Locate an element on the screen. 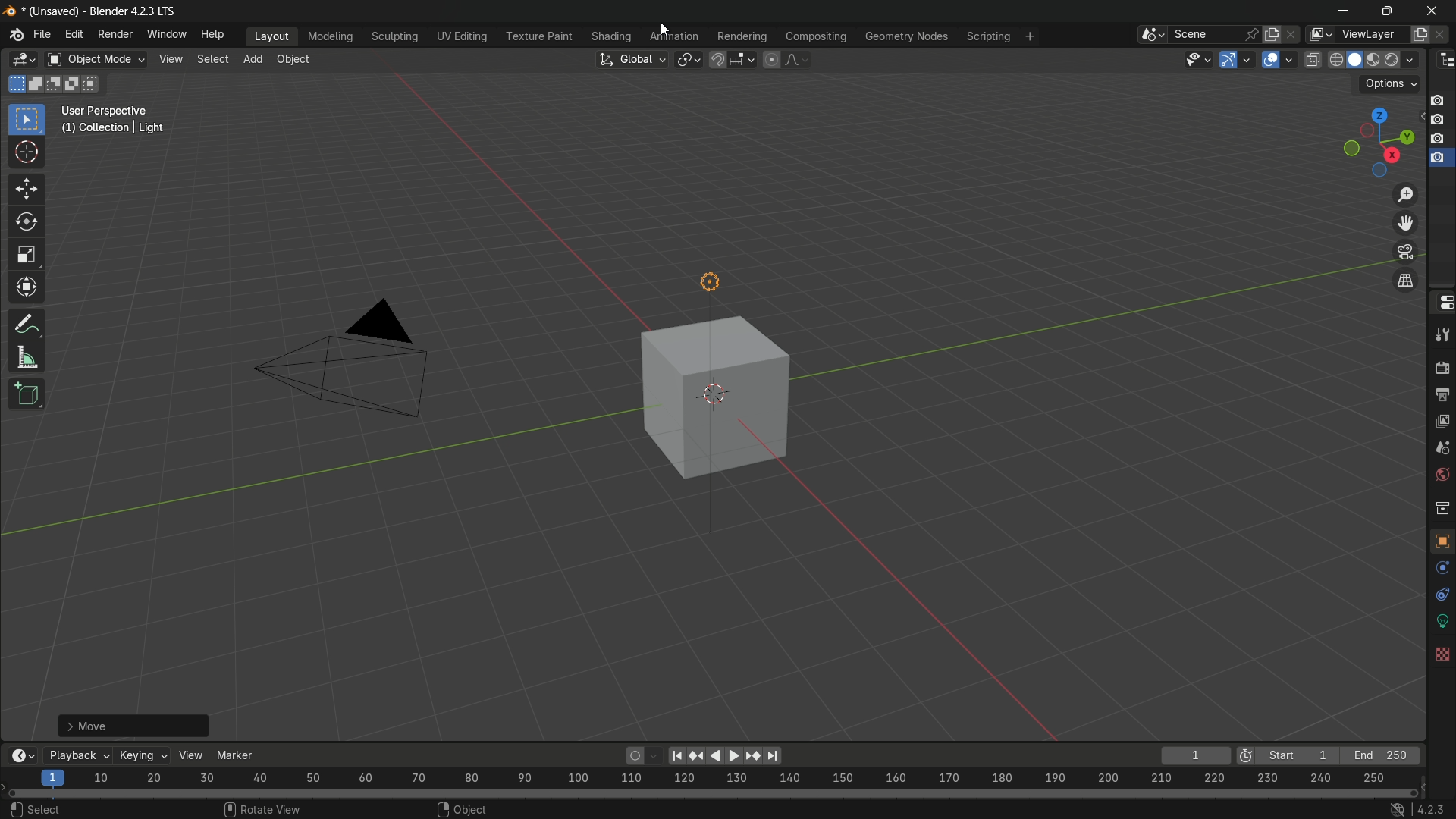  (unsaved) - blender 4.2.3 lts is located at coordinates (95, 11).